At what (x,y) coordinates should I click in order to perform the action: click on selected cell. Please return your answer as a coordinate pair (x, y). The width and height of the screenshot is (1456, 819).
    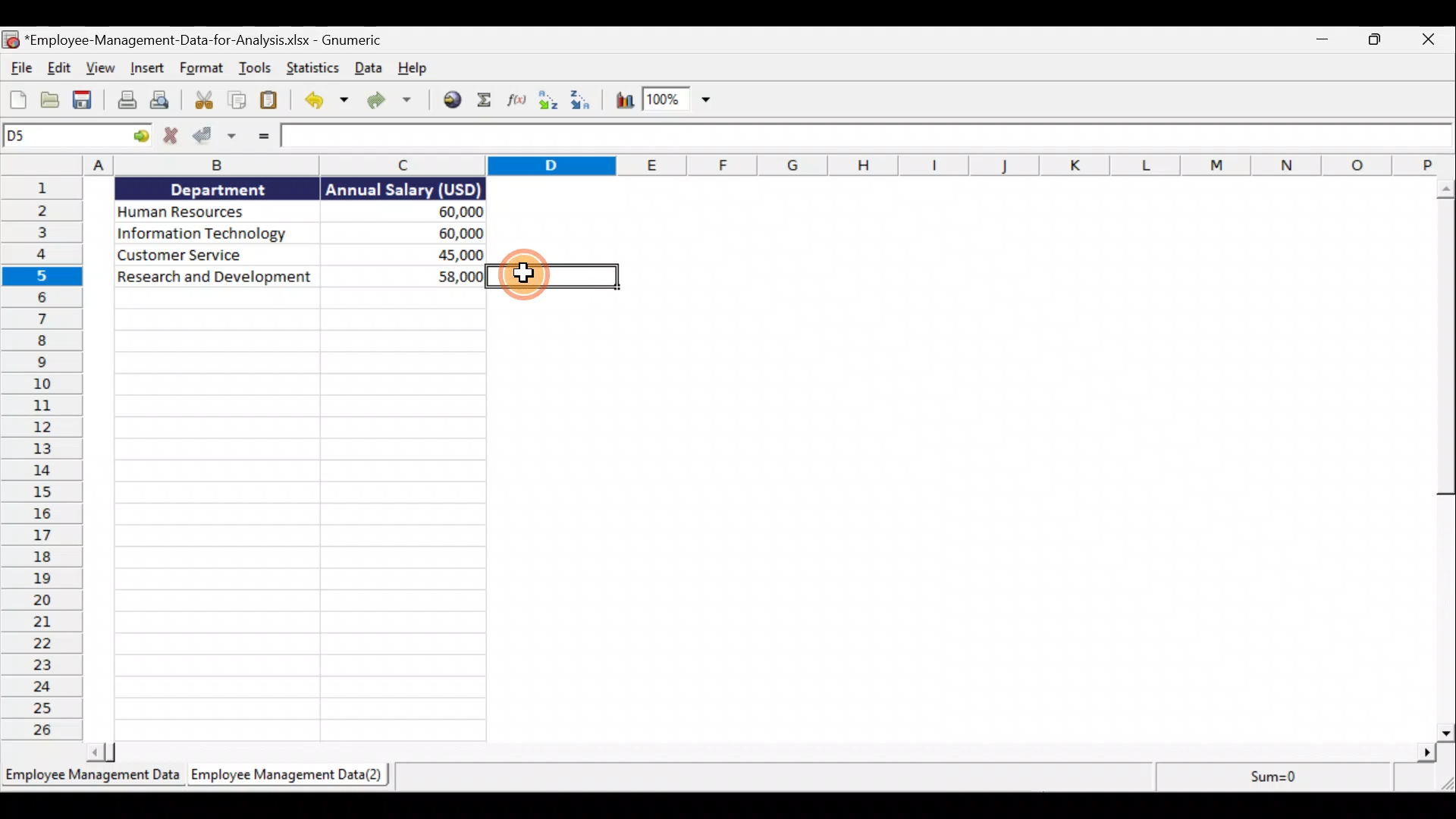
    Looking at the image, I should click on (552, 277).